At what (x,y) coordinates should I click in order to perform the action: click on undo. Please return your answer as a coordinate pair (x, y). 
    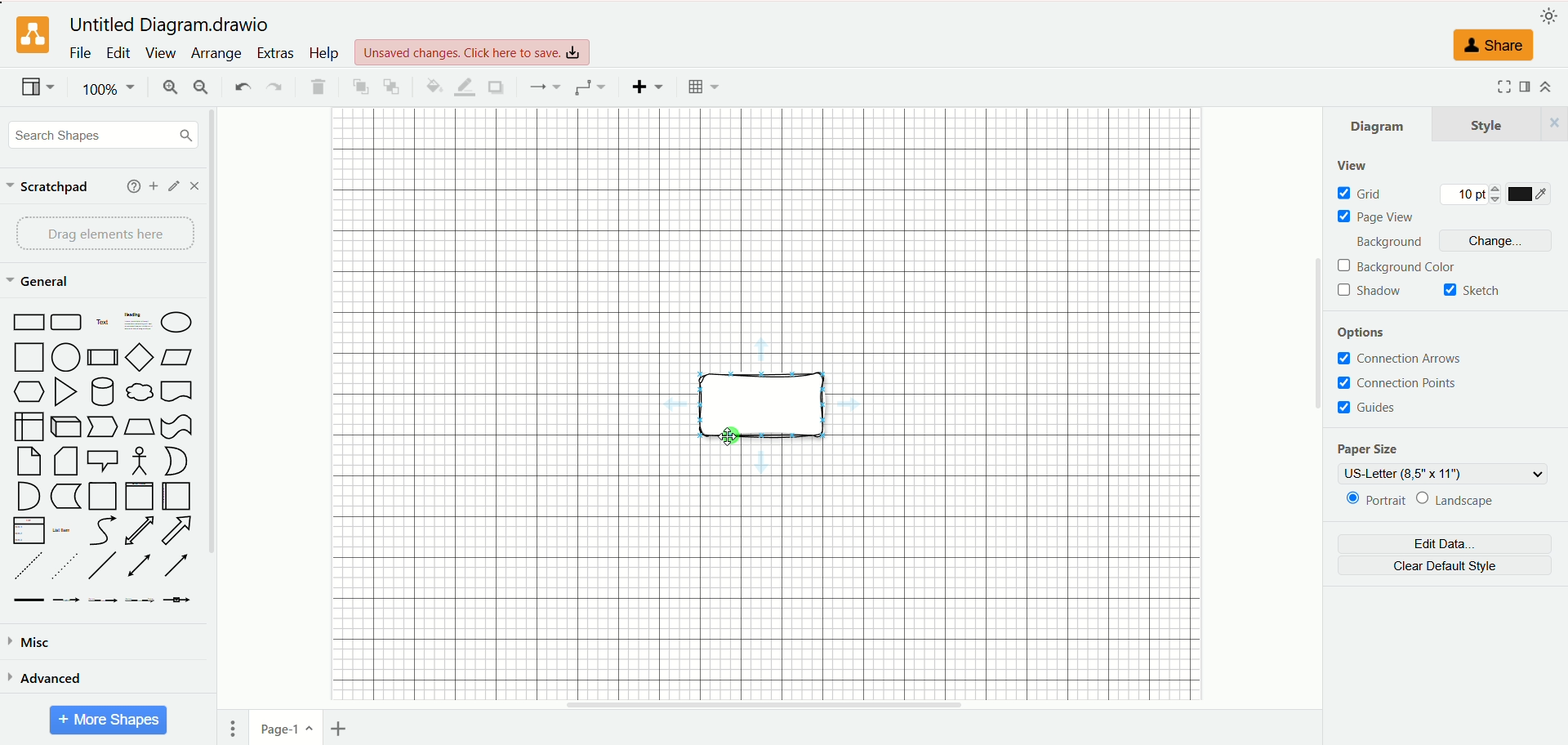
    Looking at the image, I should click on (241, 85).